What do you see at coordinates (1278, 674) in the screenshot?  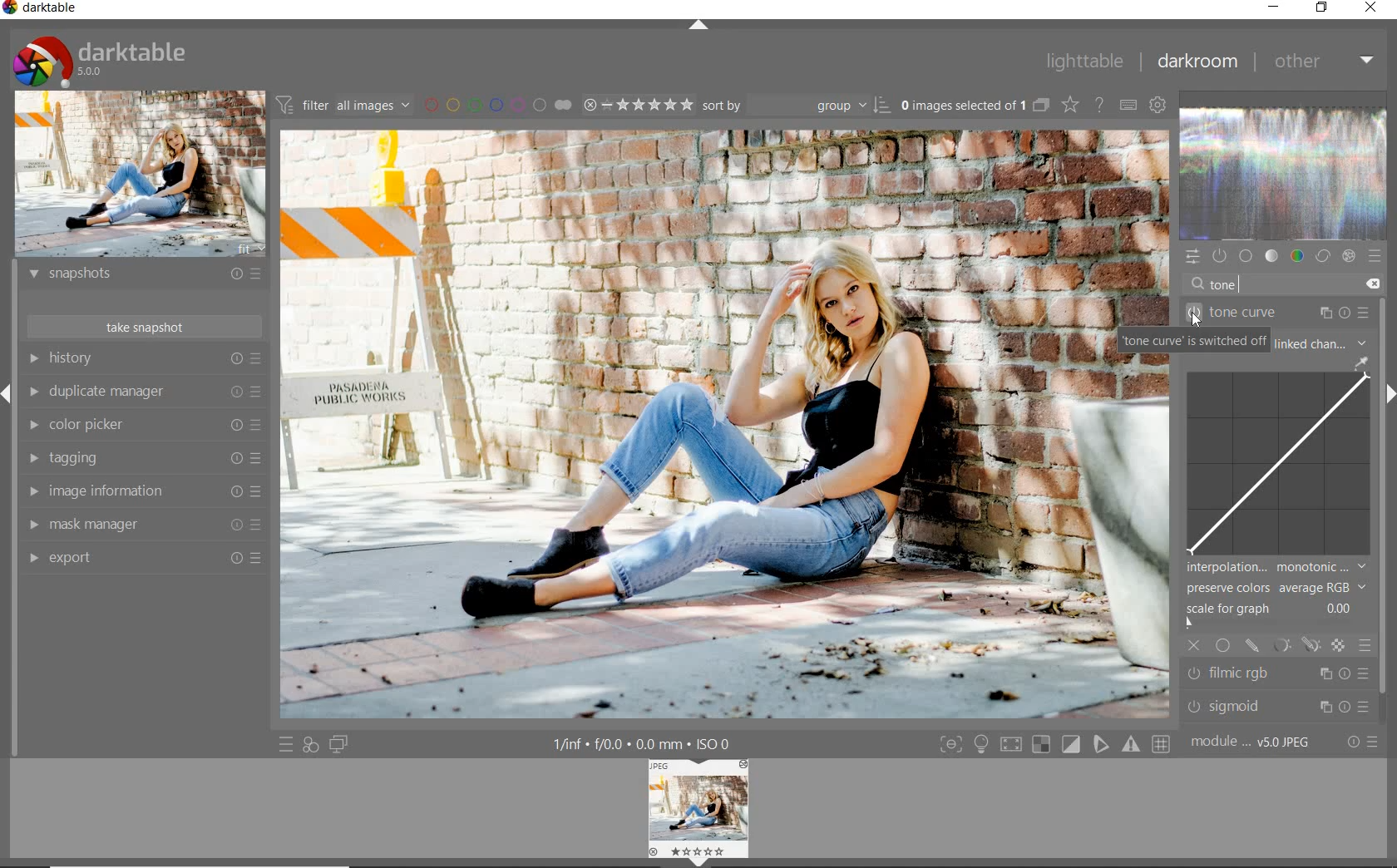 I see `filmic rgb` at bounding box center [1278, 674].